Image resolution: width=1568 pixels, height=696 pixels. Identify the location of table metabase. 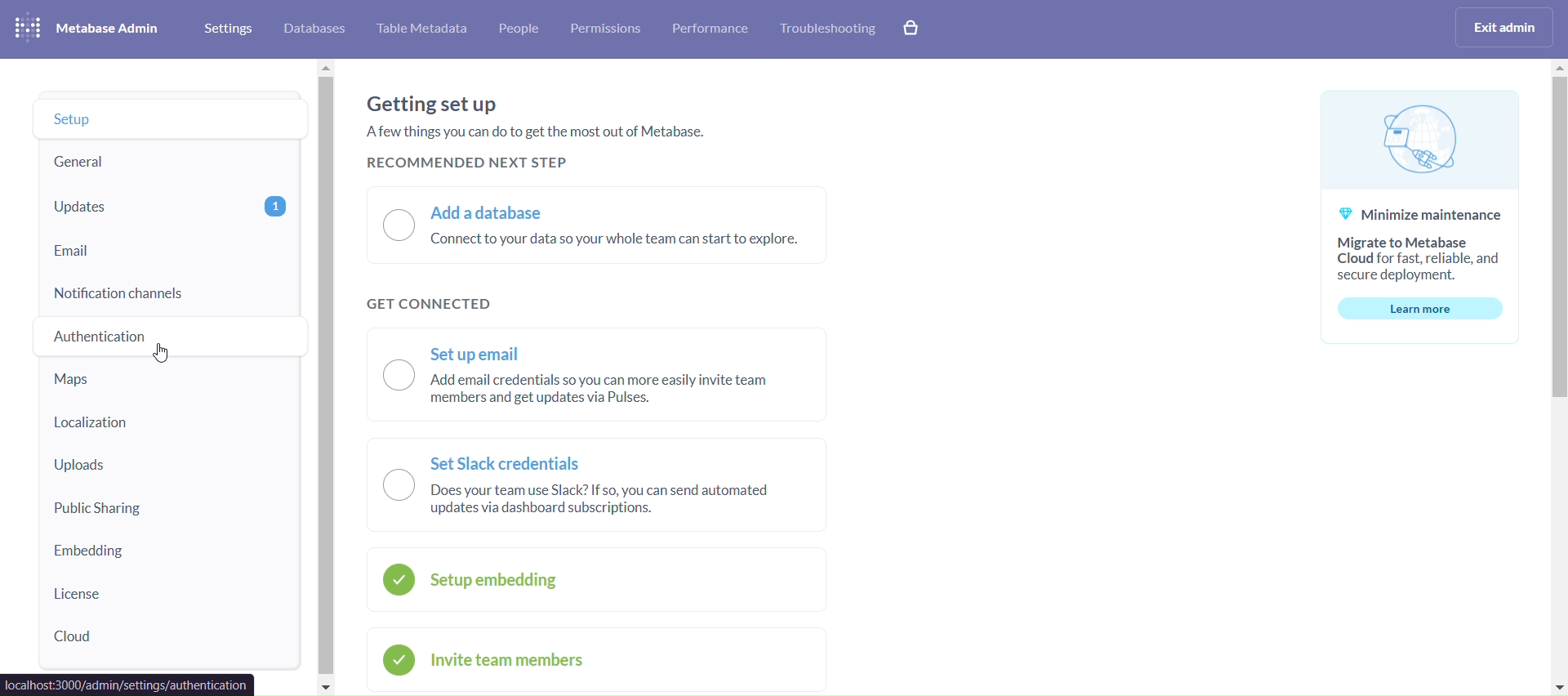
(421, 29).